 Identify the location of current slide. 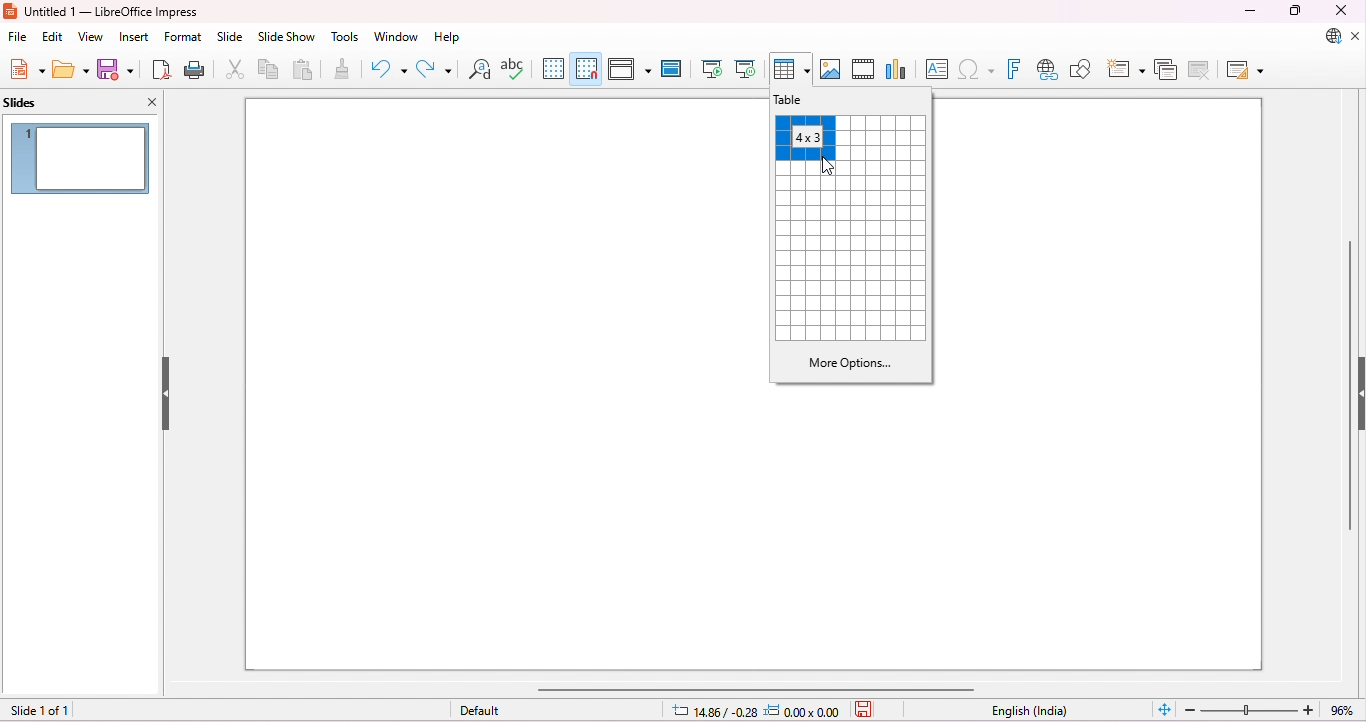
(80, 157).